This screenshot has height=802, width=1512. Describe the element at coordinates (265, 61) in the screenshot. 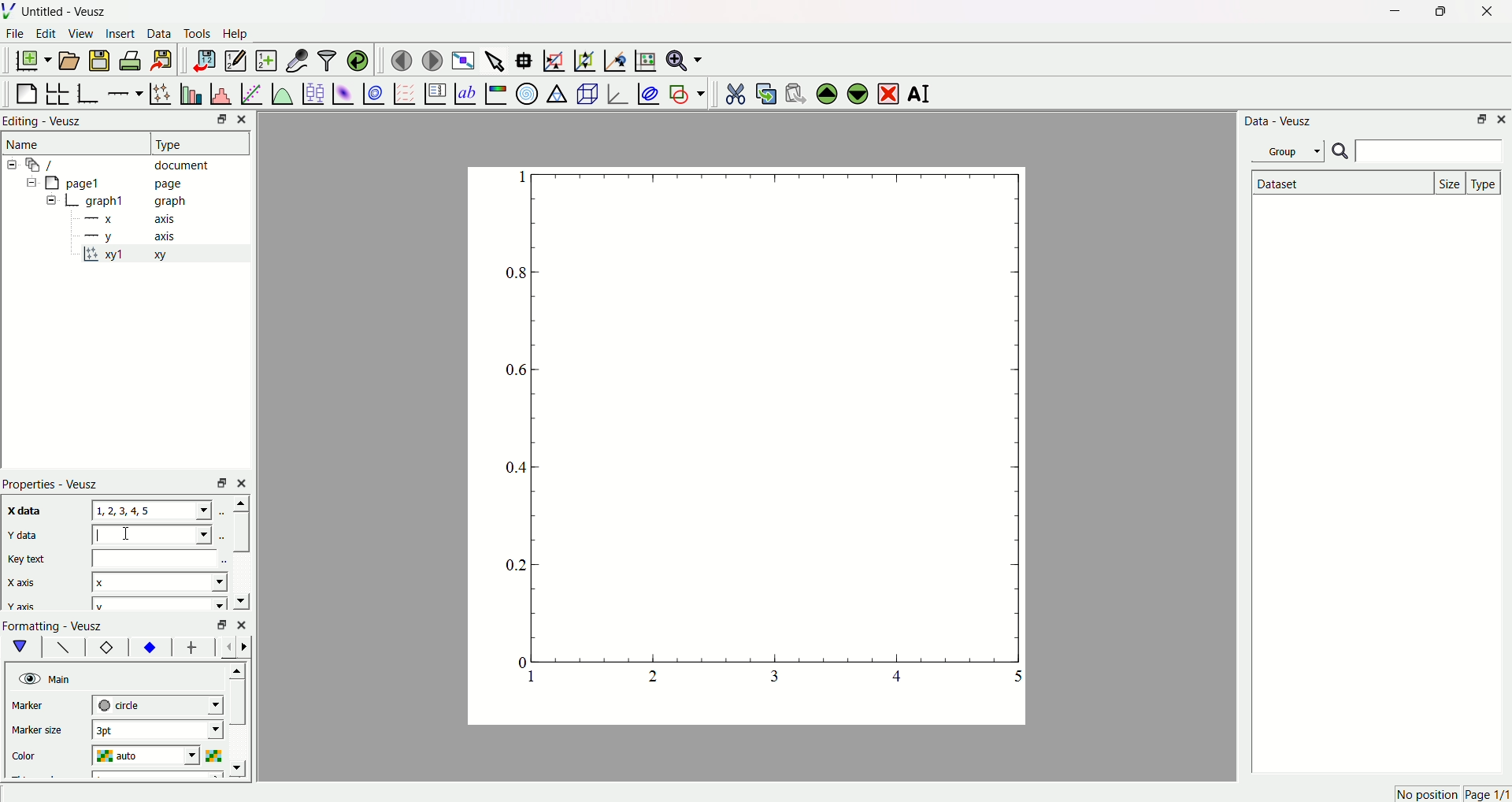

I see `create new datasets` at that location.